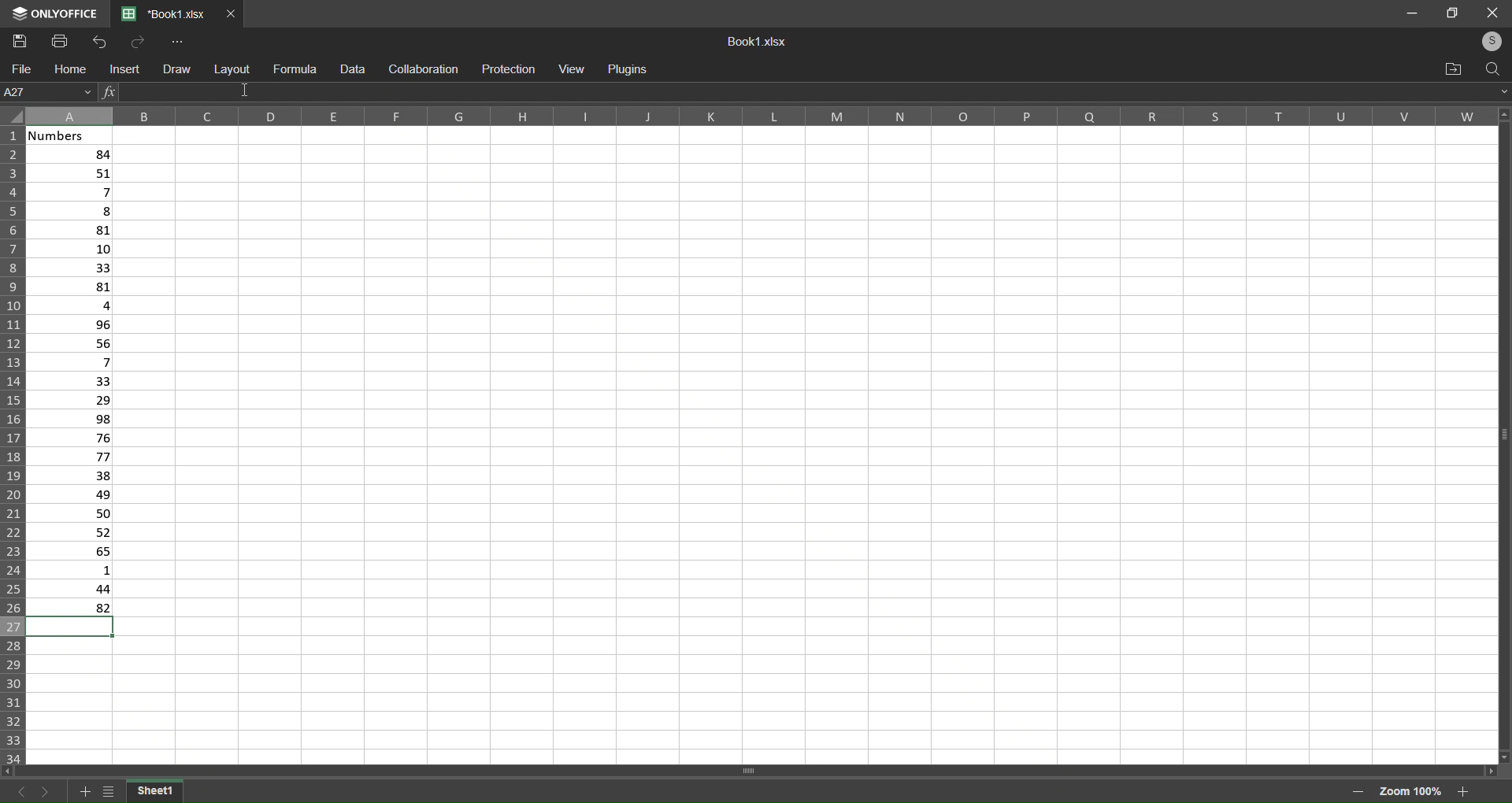  I want to click on open, so click(1451, 67).